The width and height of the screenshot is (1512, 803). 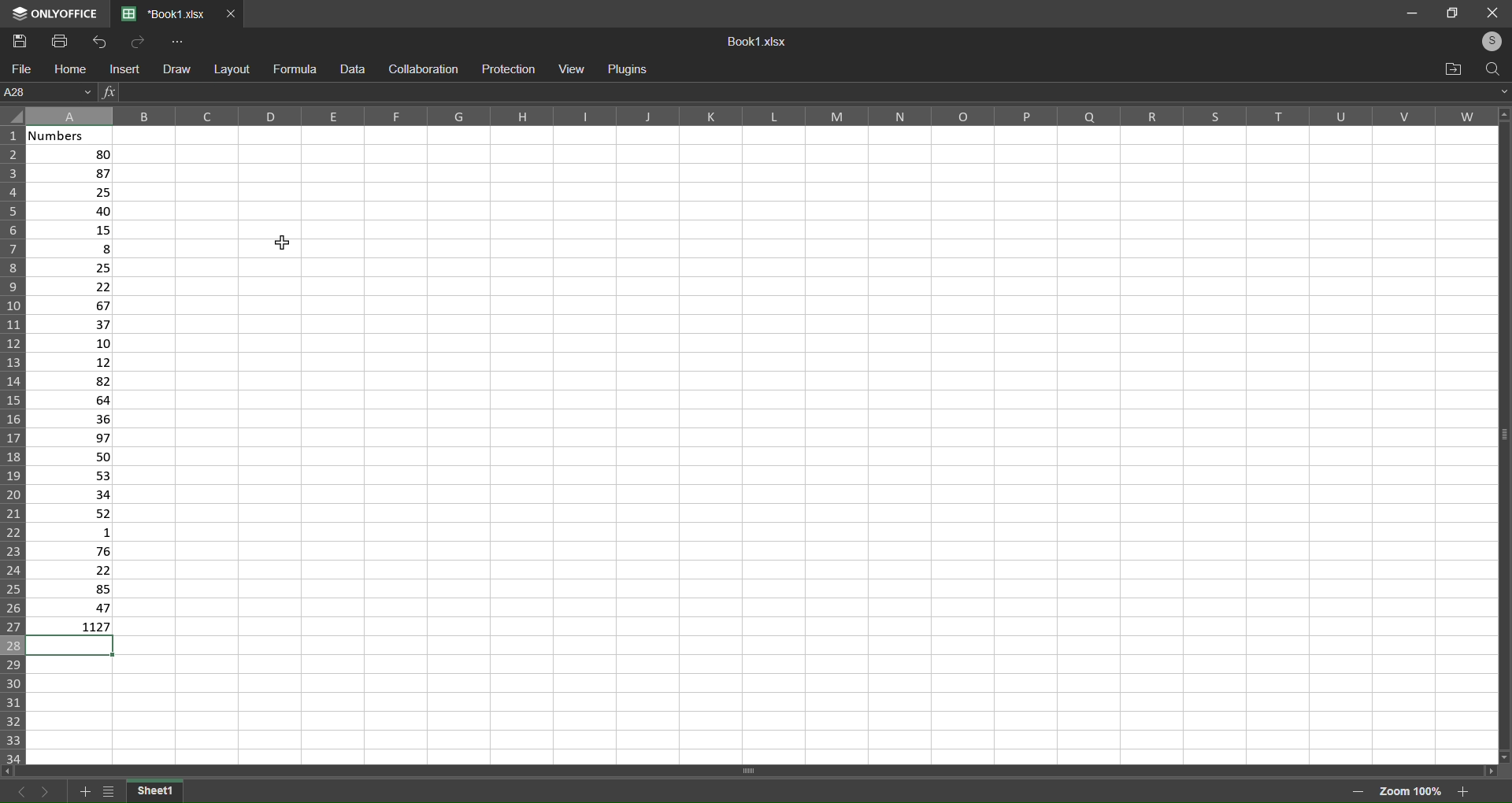 I want to click on close, so click(x=1494, y=13).